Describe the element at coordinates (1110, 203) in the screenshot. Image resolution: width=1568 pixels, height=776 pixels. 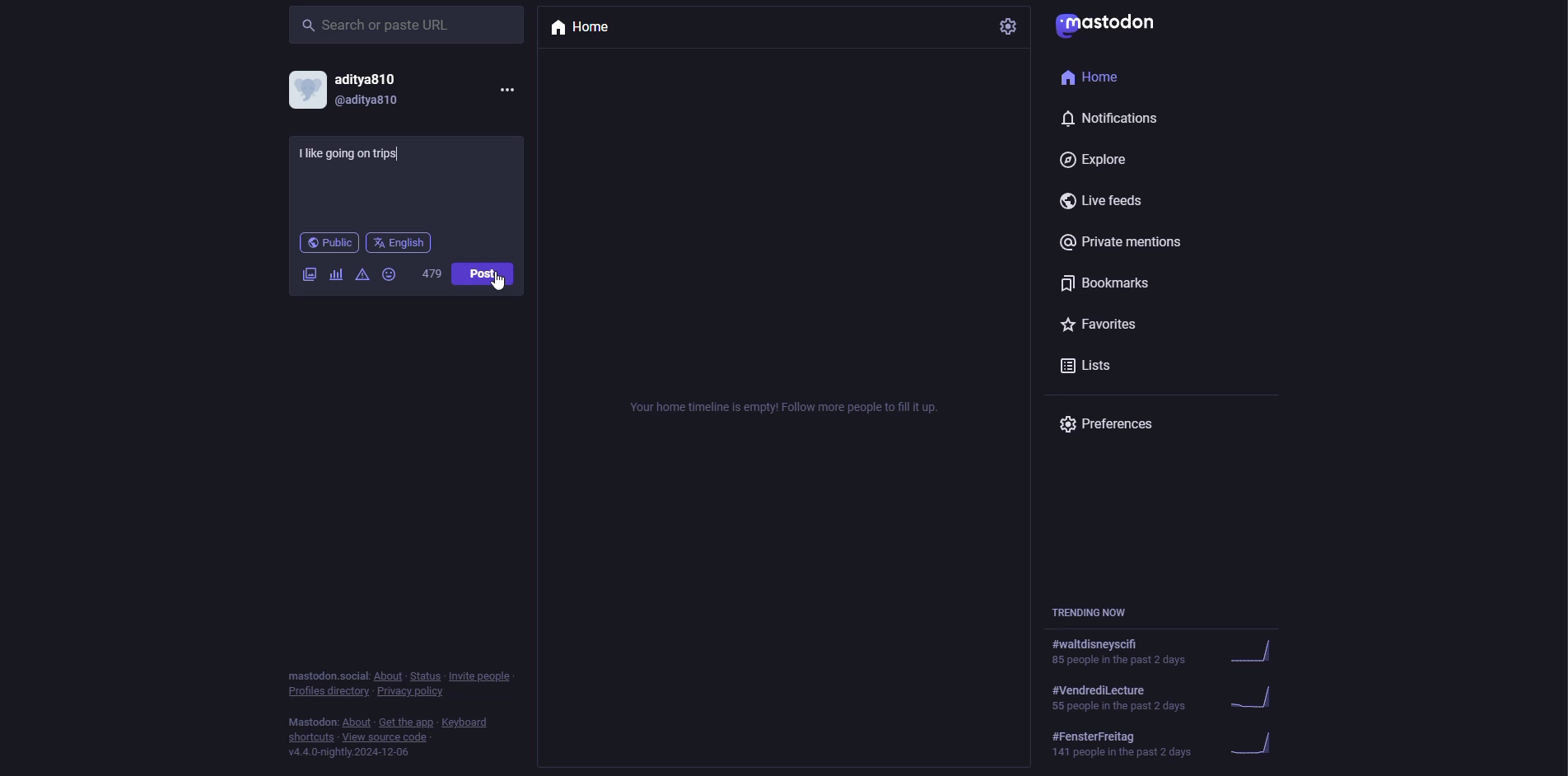
I see `live feeds` at that location.